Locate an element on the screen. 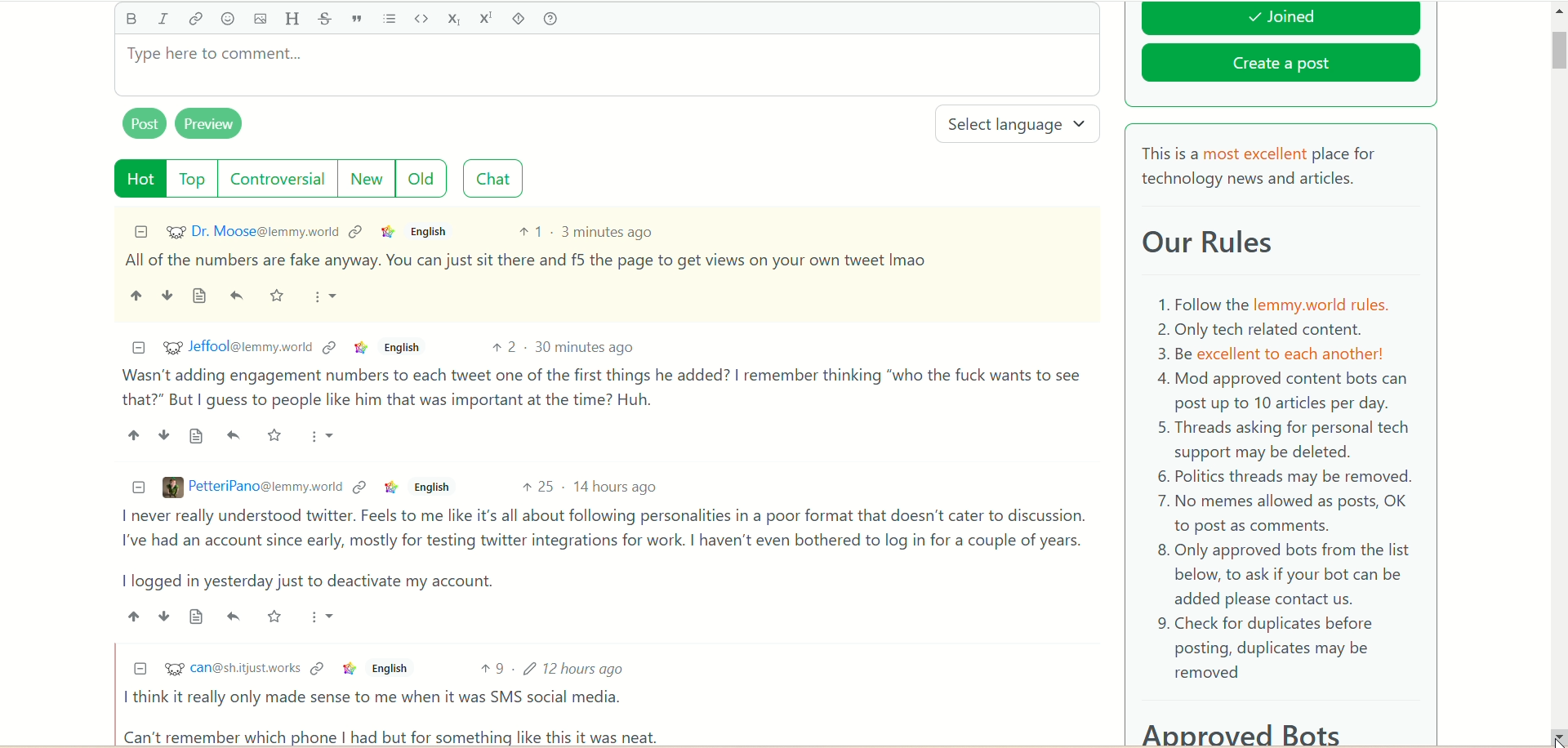  header is located at coordinates (292, 20).